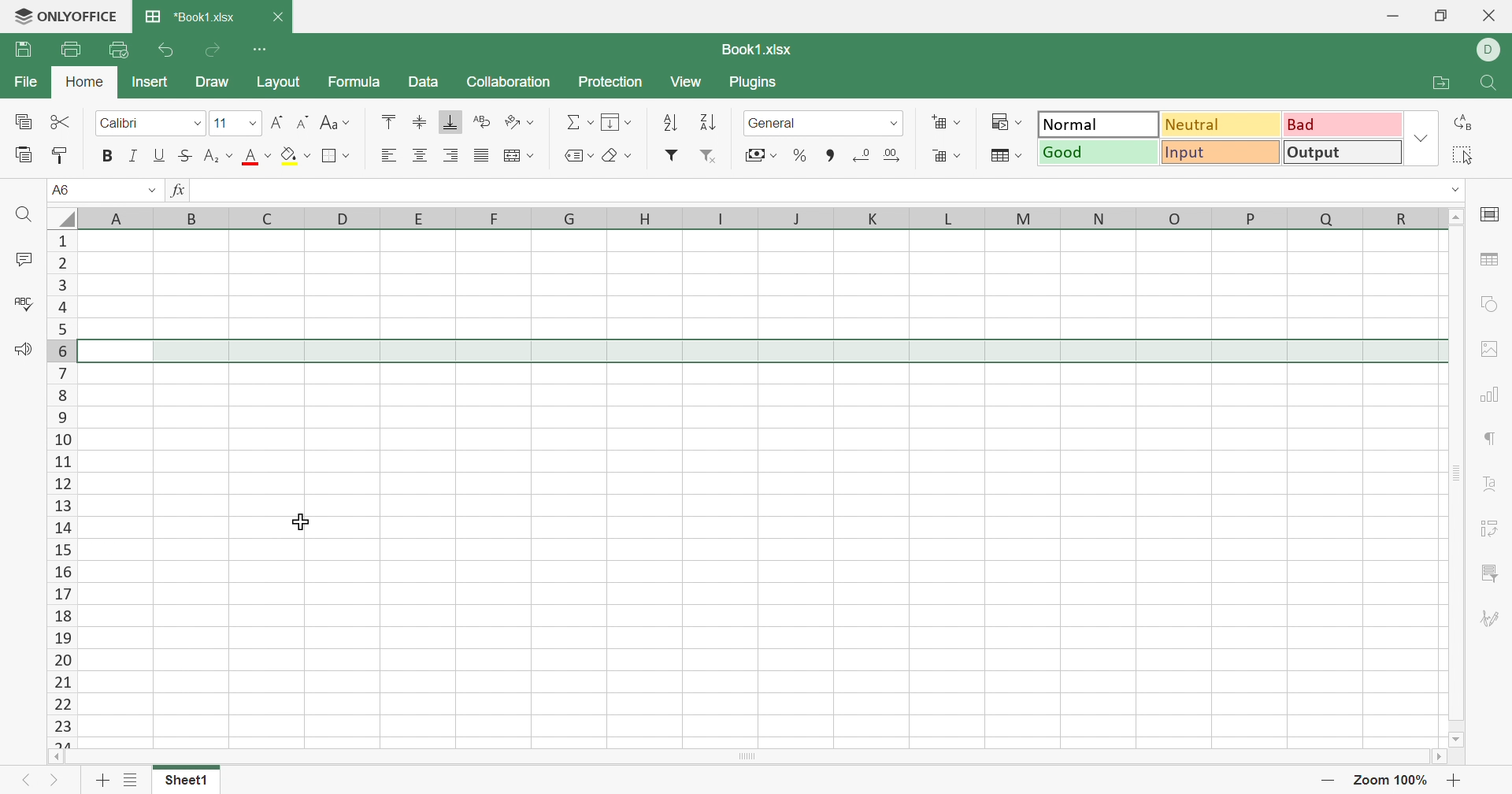 This screenshot has height=794, width=1512. I want to click on Insert, so click(150, 82).